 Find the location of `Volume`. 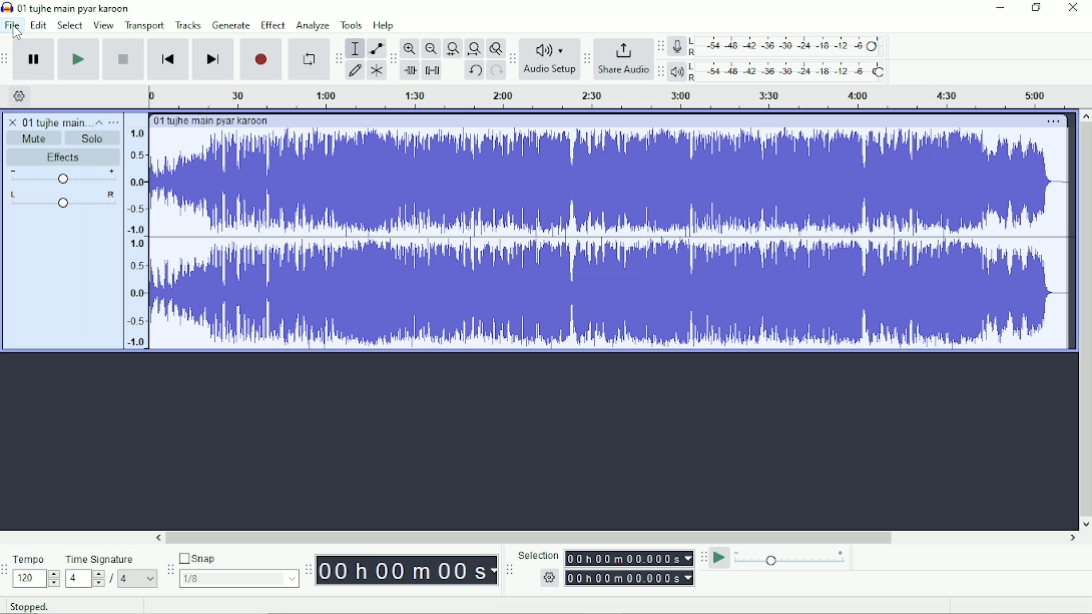

Volume is located at coordinates (62, 177).